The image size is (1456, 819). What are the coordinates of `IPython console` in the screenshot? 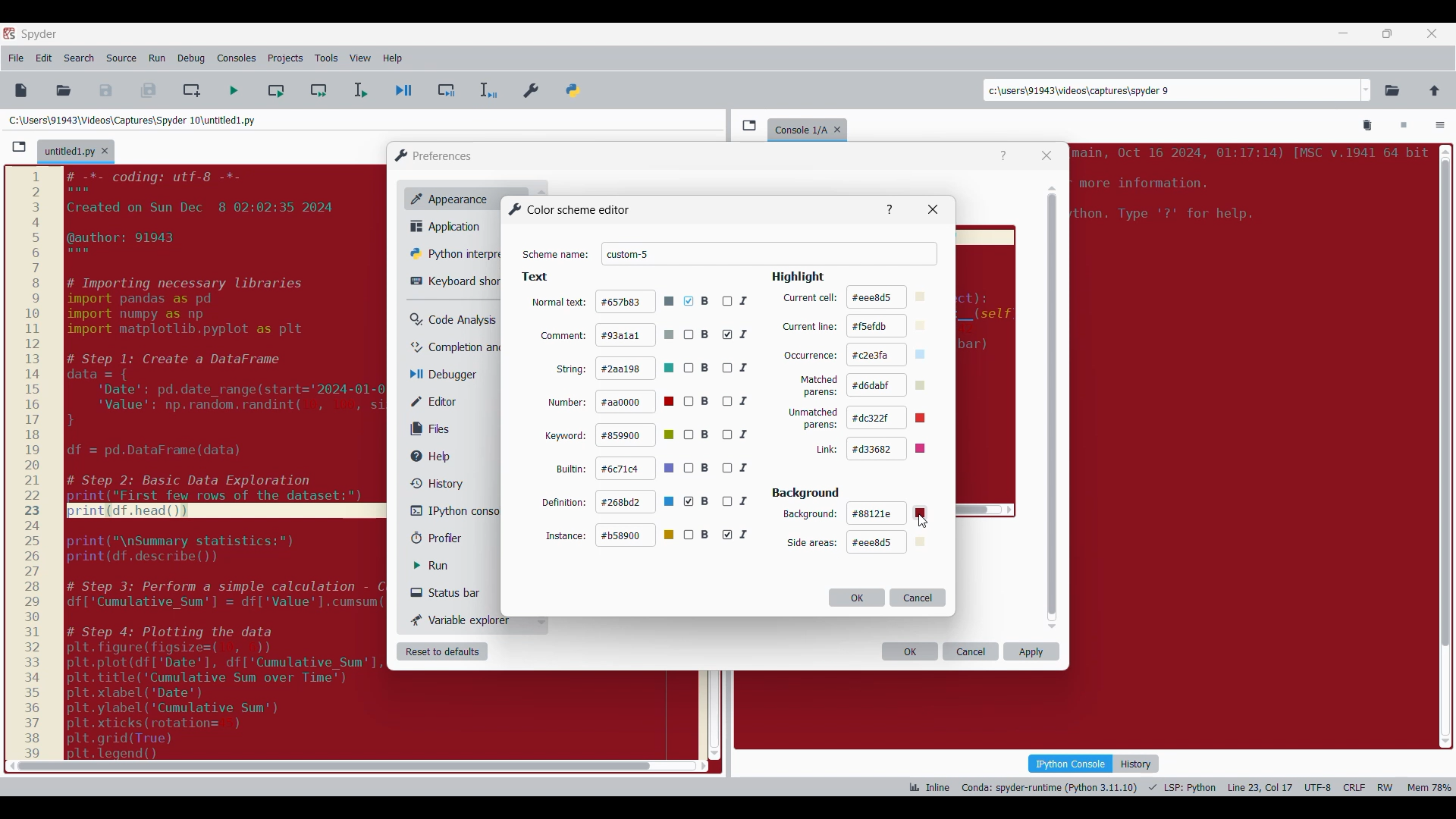 It's located at (454, 510).